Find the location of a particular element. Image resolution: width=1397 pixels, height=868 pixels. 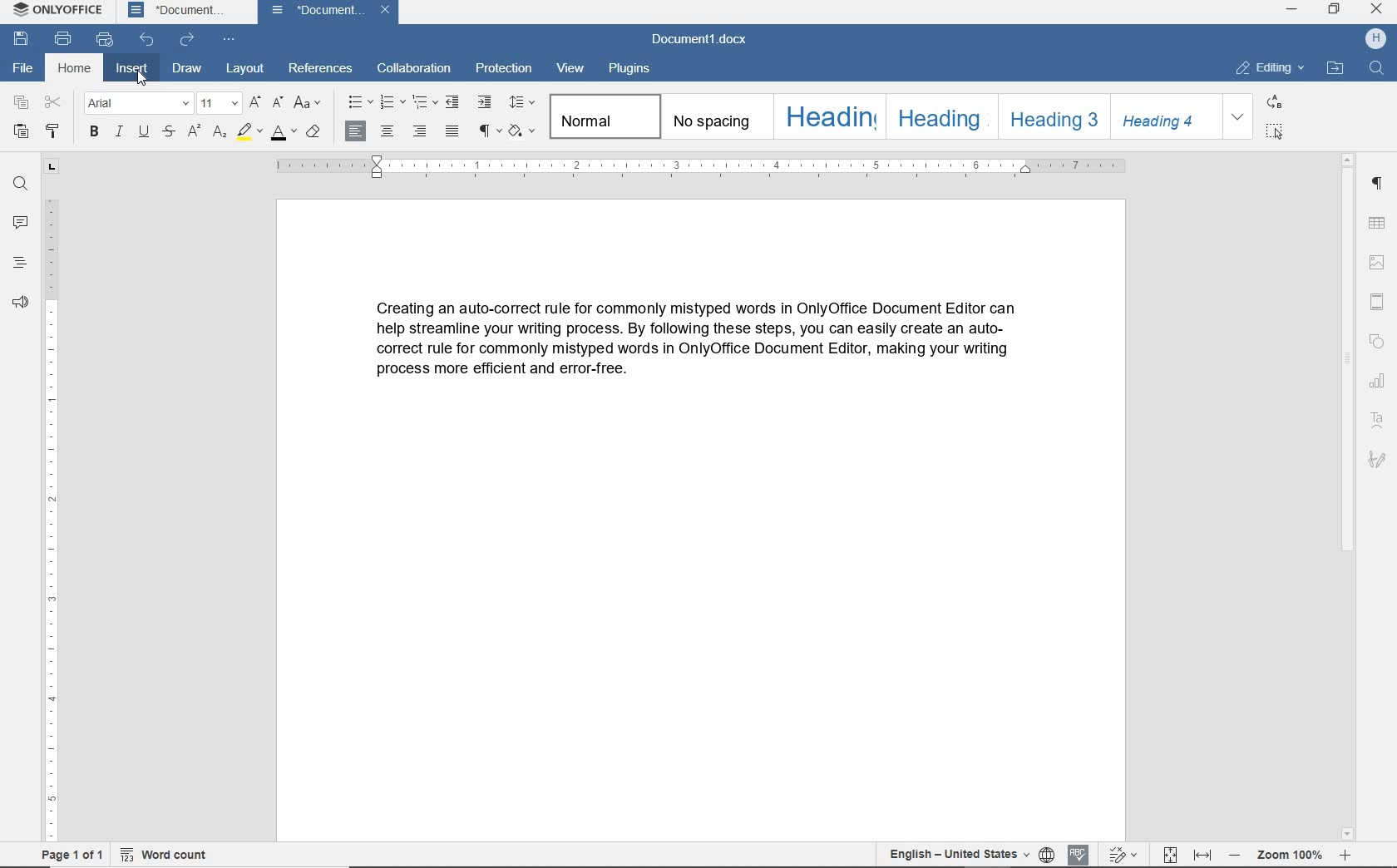

cut is located at coordinates (51, 104).